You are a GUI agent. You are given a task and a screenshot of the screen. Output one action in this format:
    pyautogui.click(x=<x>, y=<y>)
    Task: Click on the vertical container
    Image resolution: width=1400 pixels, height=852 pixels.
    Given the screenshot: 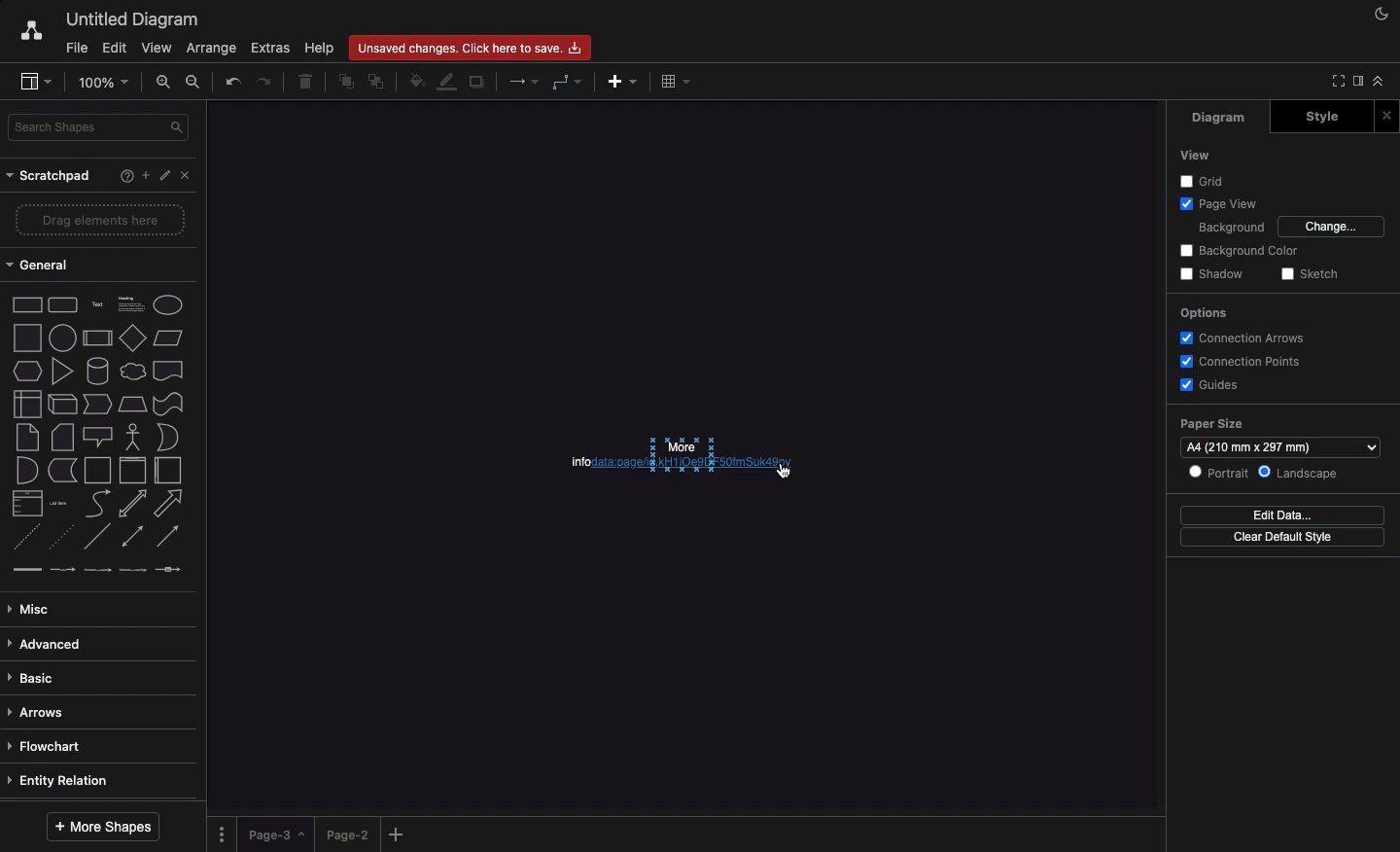 What is the action you would take?
    pyautogui.click(x=132, y=471)
    